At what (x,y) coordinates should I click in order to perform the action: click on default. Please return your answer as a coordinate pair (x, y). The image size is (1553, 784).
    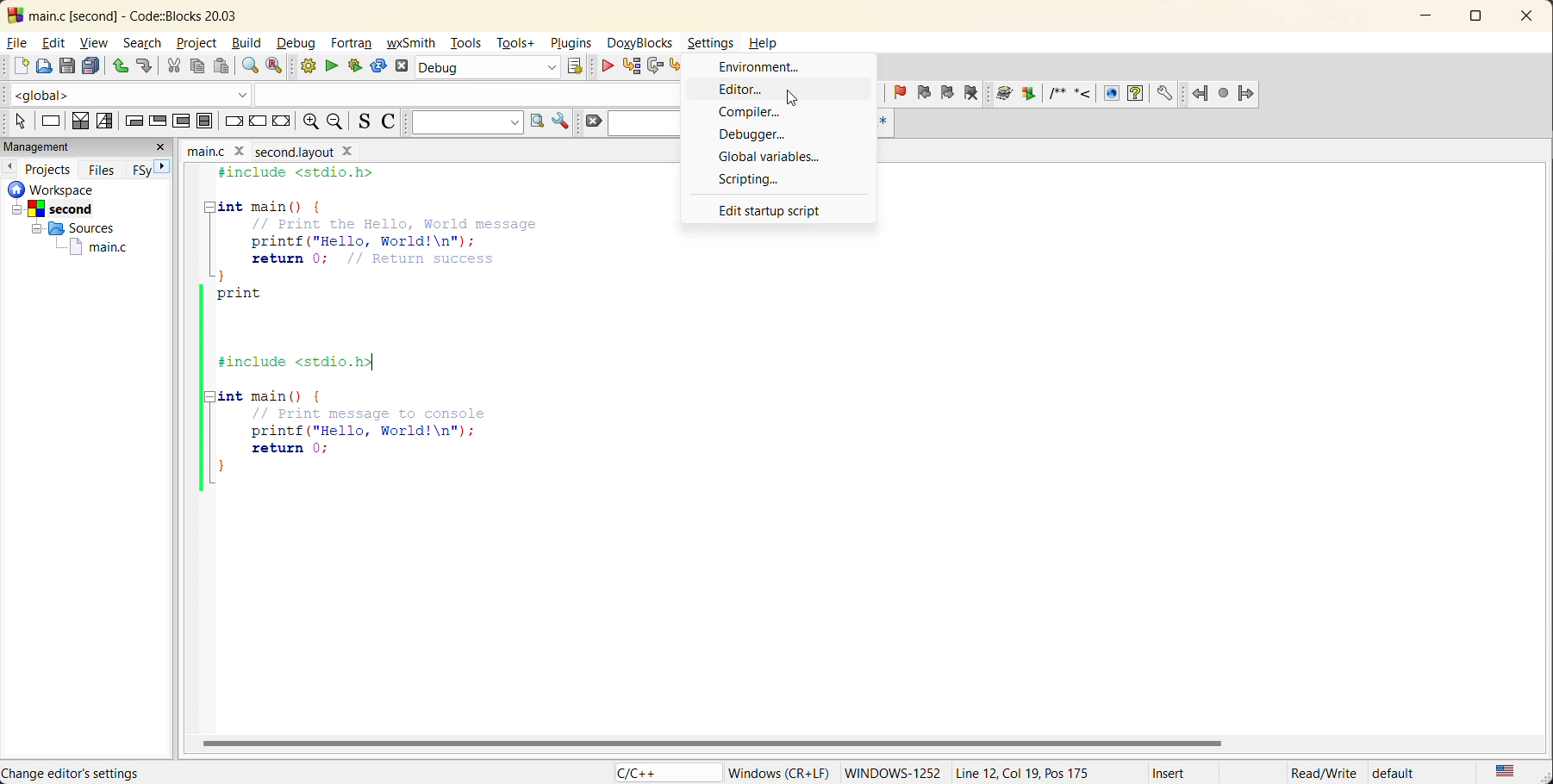
    Looking at the image, I should click on (1410, 774).